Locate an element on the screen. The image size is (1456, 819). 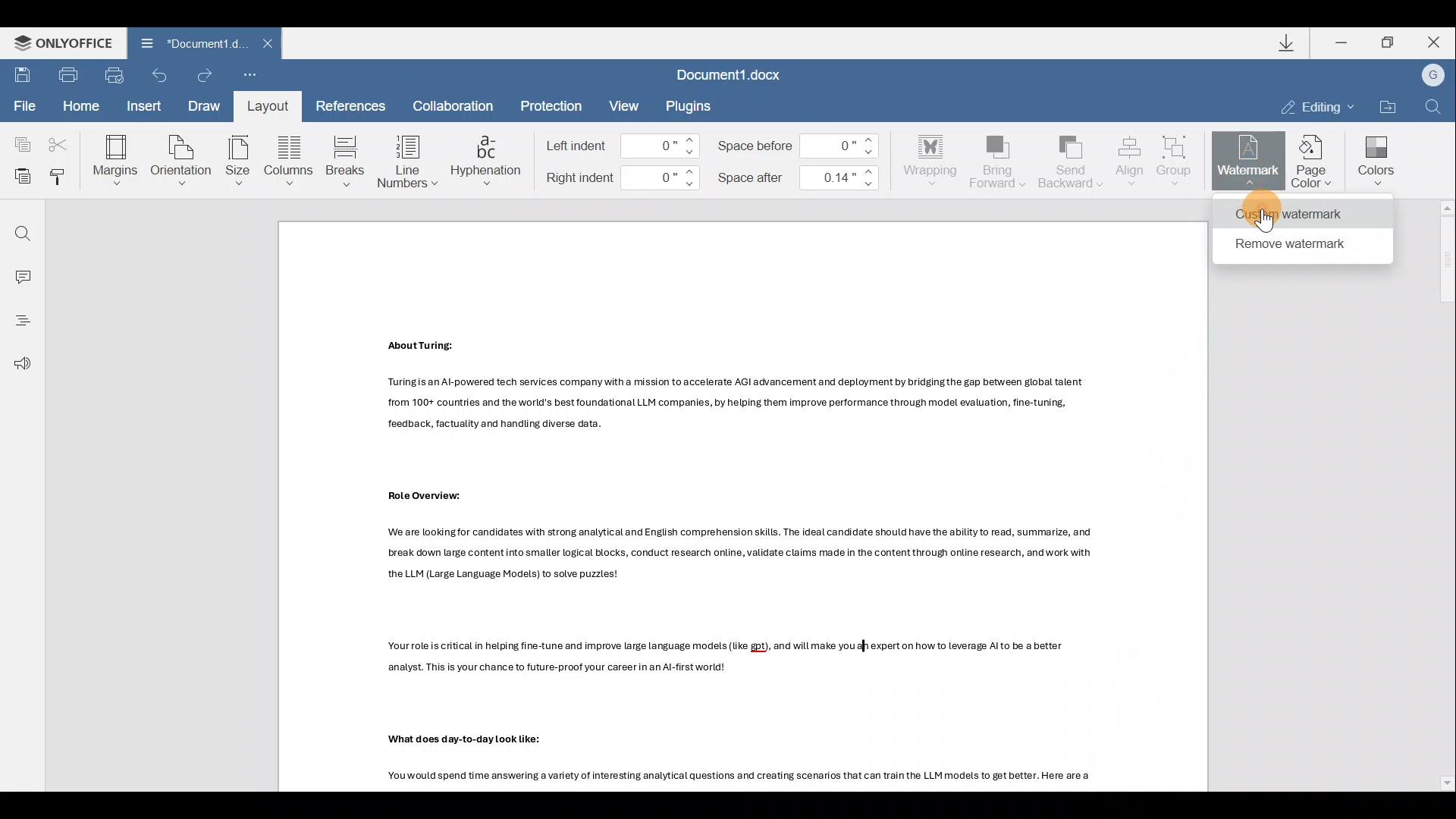
Find is located at coordinates (1433, 105).